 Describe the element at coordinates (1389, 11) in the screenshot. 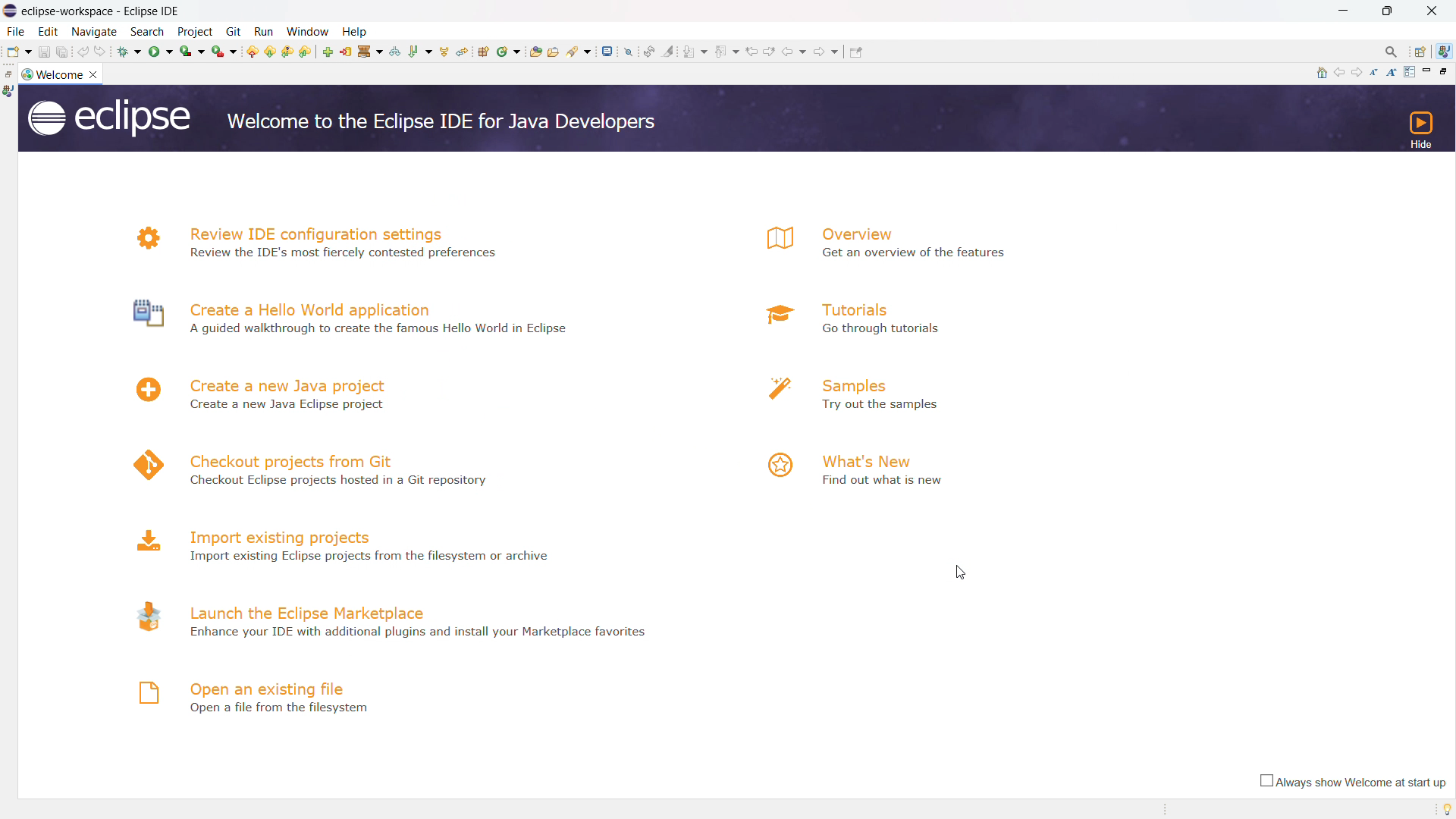

I see `maximize` at that location.